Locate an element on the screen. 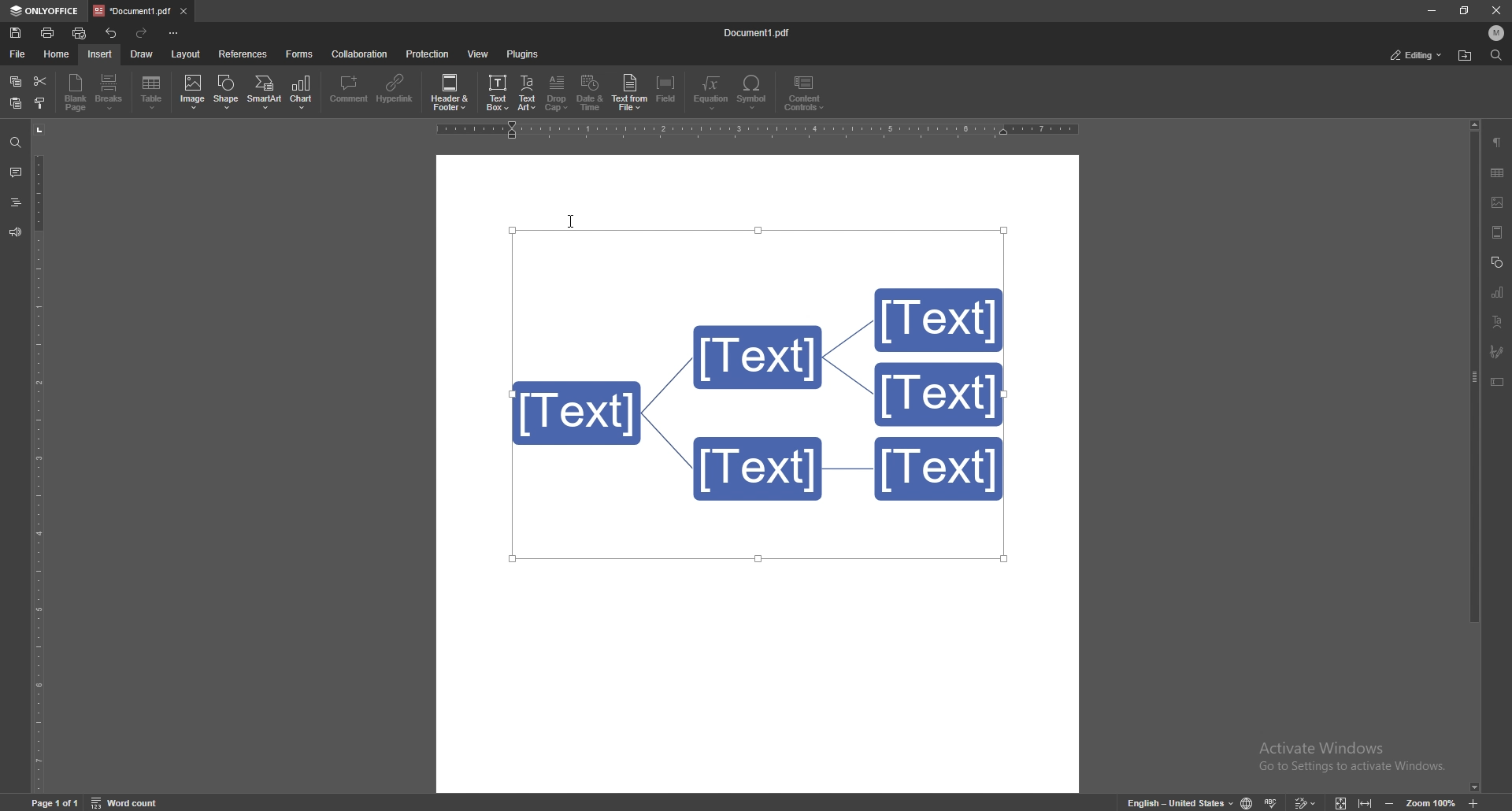 This screenshot has width=1512, height=811. comment is located at coordinates (350, 91).